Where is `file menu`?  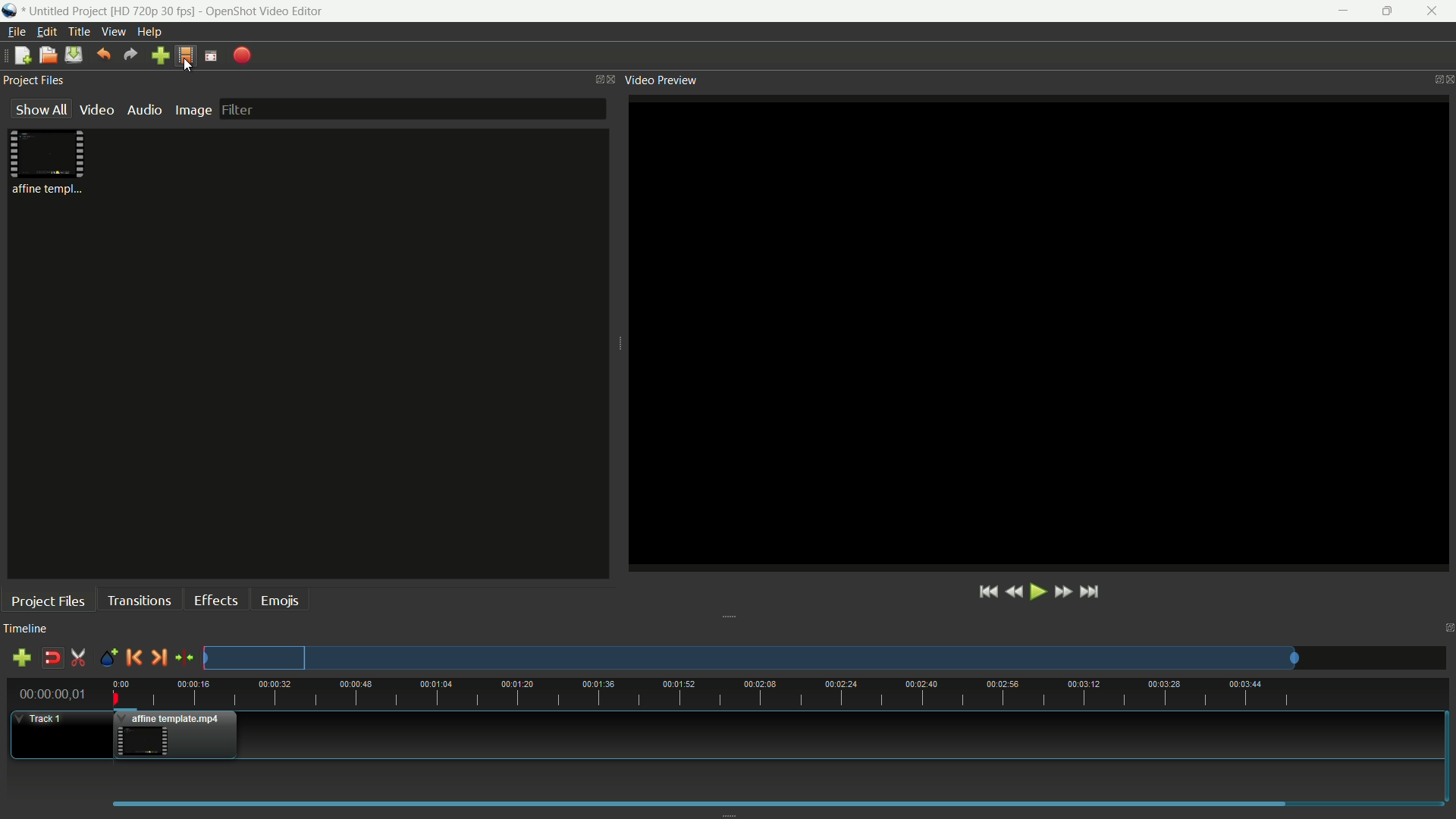
file menu is located at coordinates (16, 32).